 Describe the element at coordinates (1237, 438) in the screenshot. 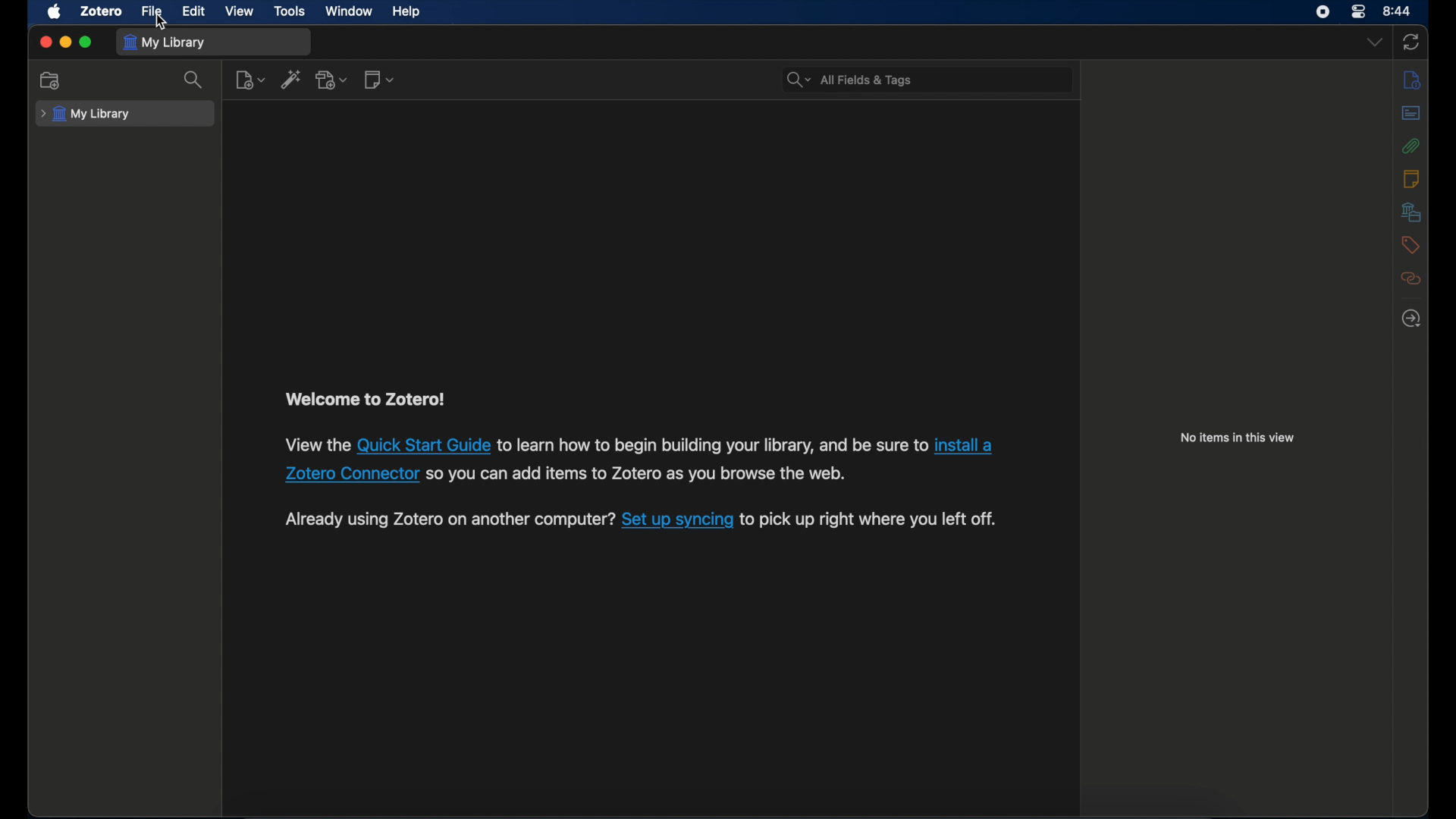

I see `no items in this view` at that location.